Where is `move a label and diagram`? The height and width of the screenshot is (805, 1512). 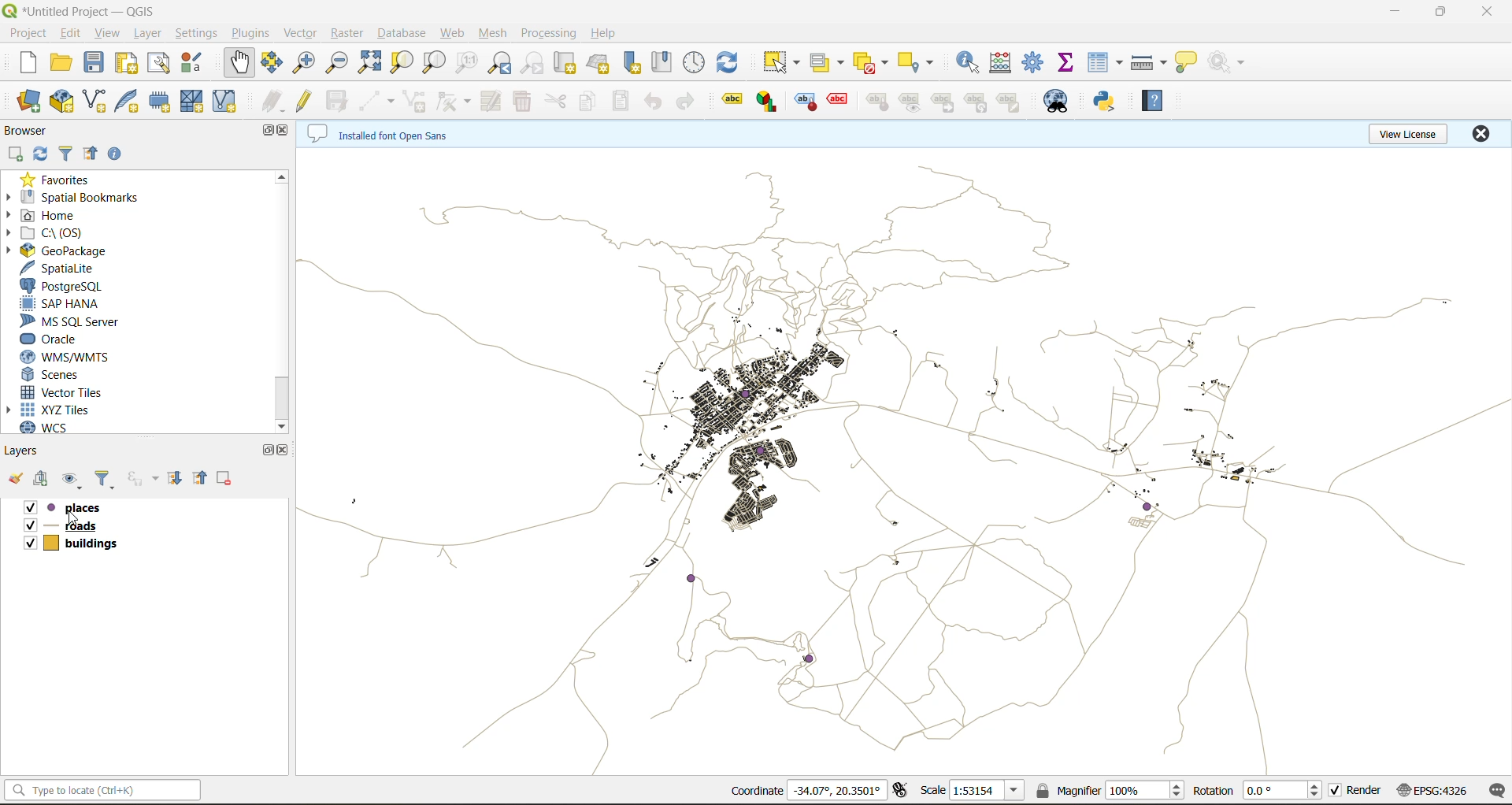 move a label and diagram is located at coordinates (947, 101).